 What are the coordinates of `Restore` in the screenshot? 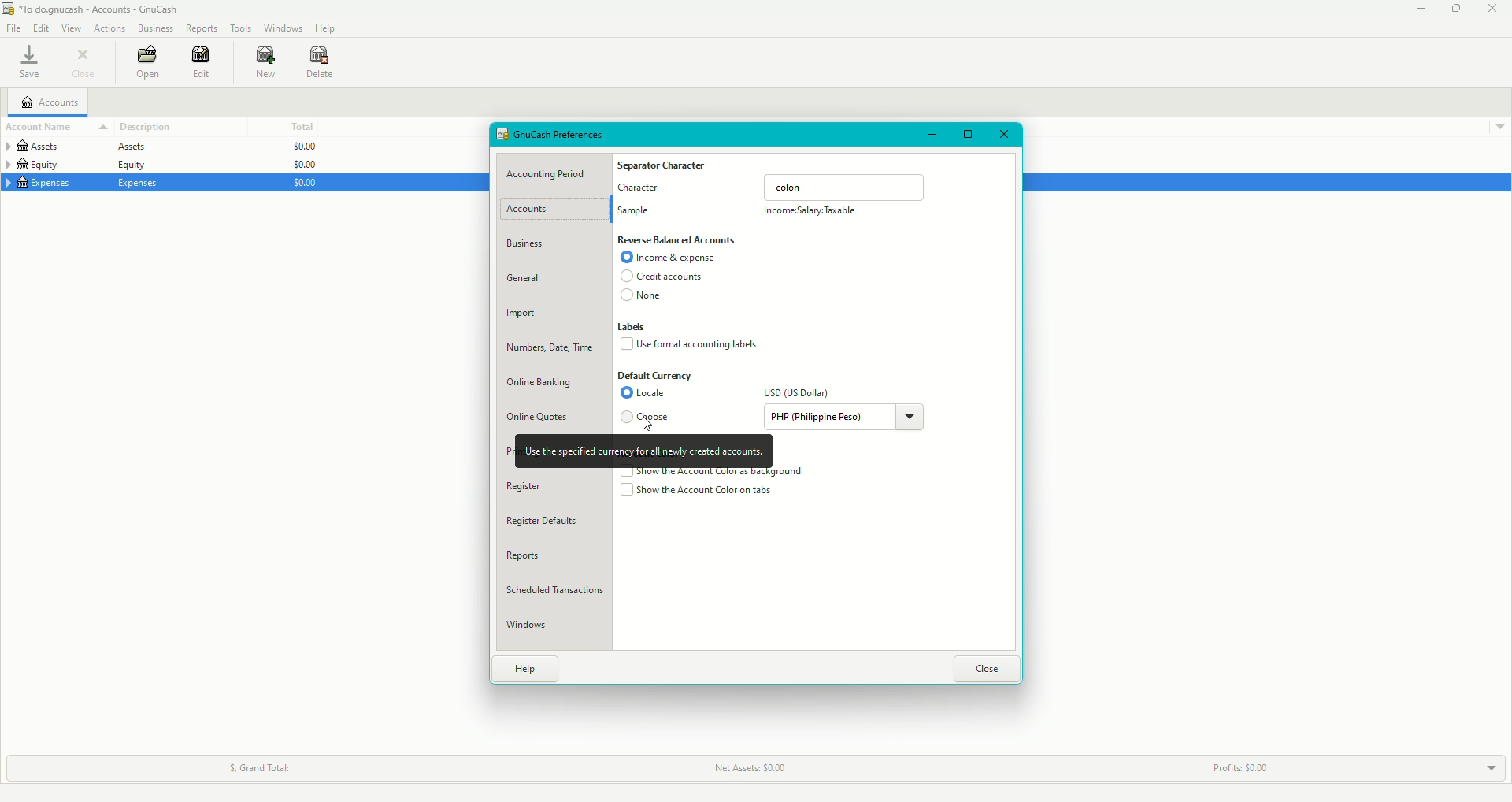 It's located at (966, 136).